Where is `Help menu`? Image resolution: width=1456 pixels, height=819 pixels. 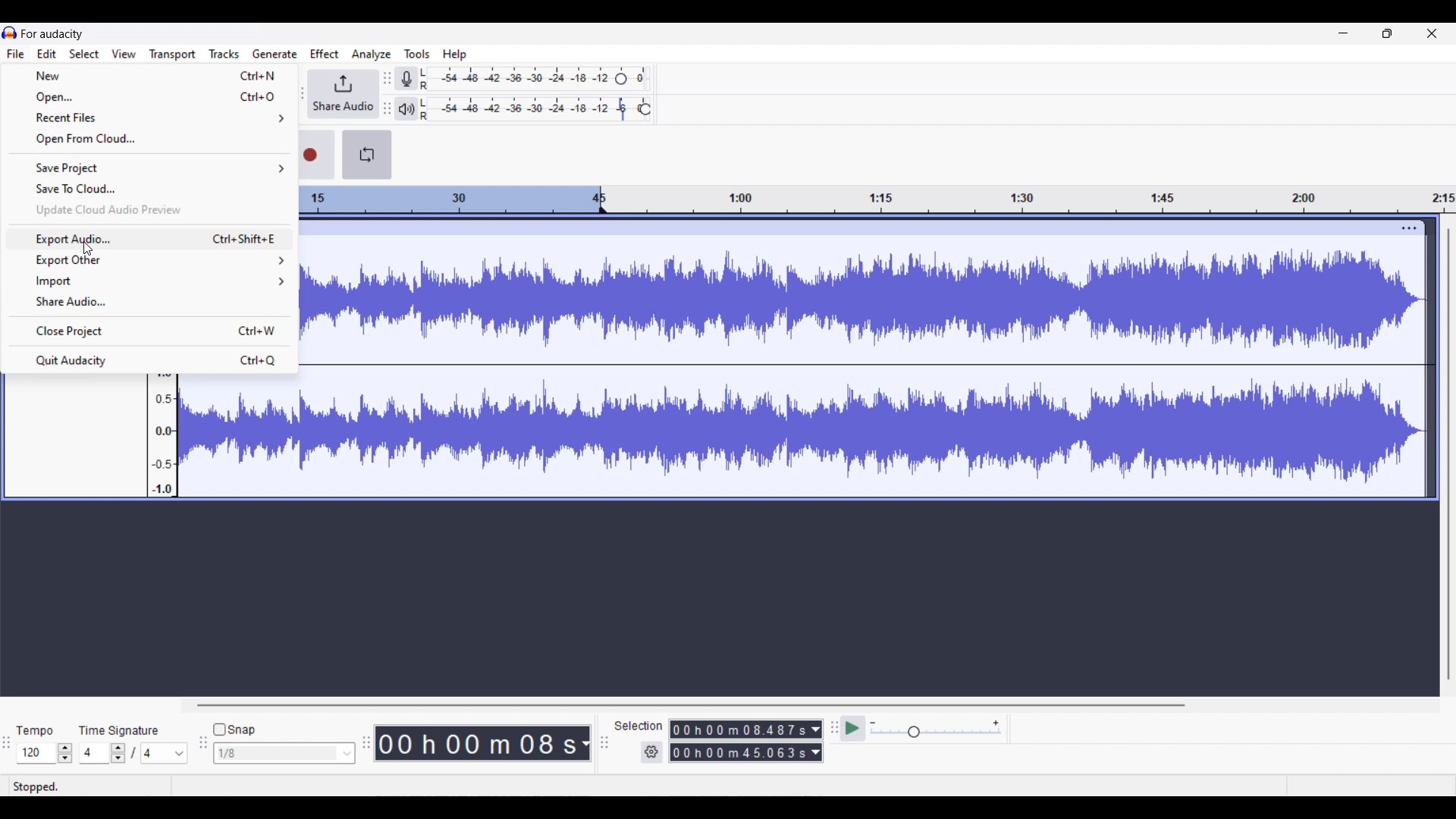 Help menu is located at coordinates (455, 55).